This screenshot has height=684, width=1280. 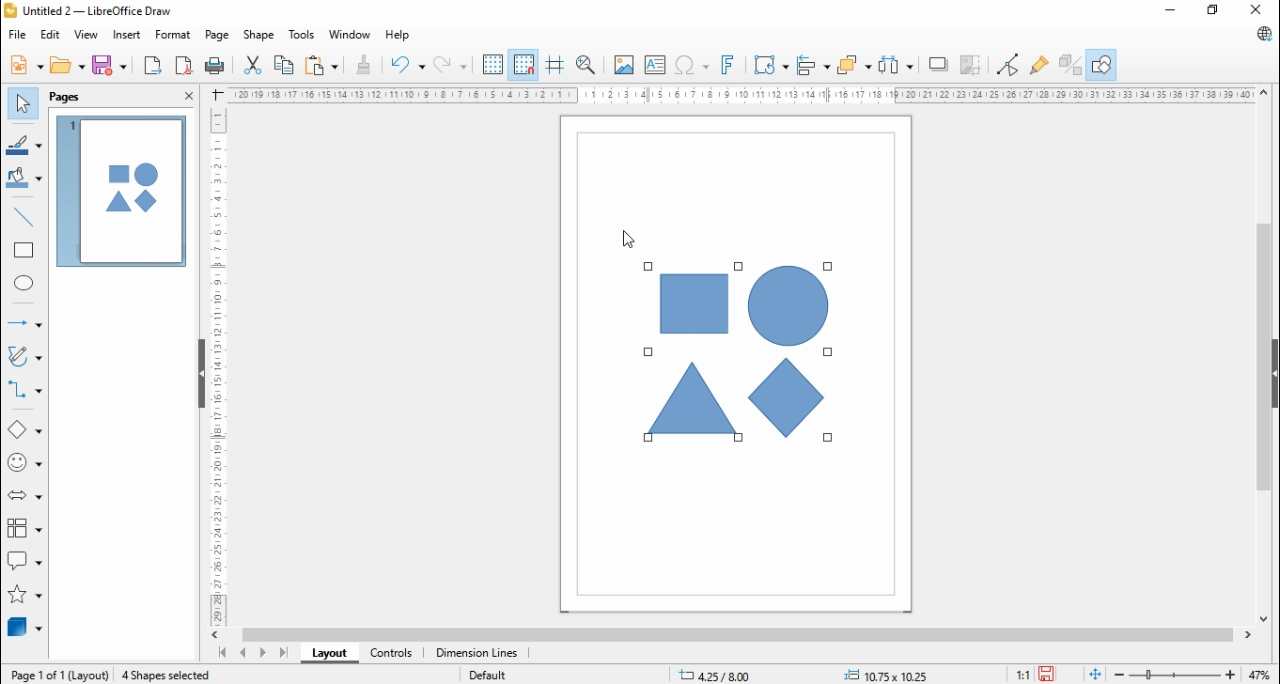 I want to click on insert special characters, so click(x=691, y=64).